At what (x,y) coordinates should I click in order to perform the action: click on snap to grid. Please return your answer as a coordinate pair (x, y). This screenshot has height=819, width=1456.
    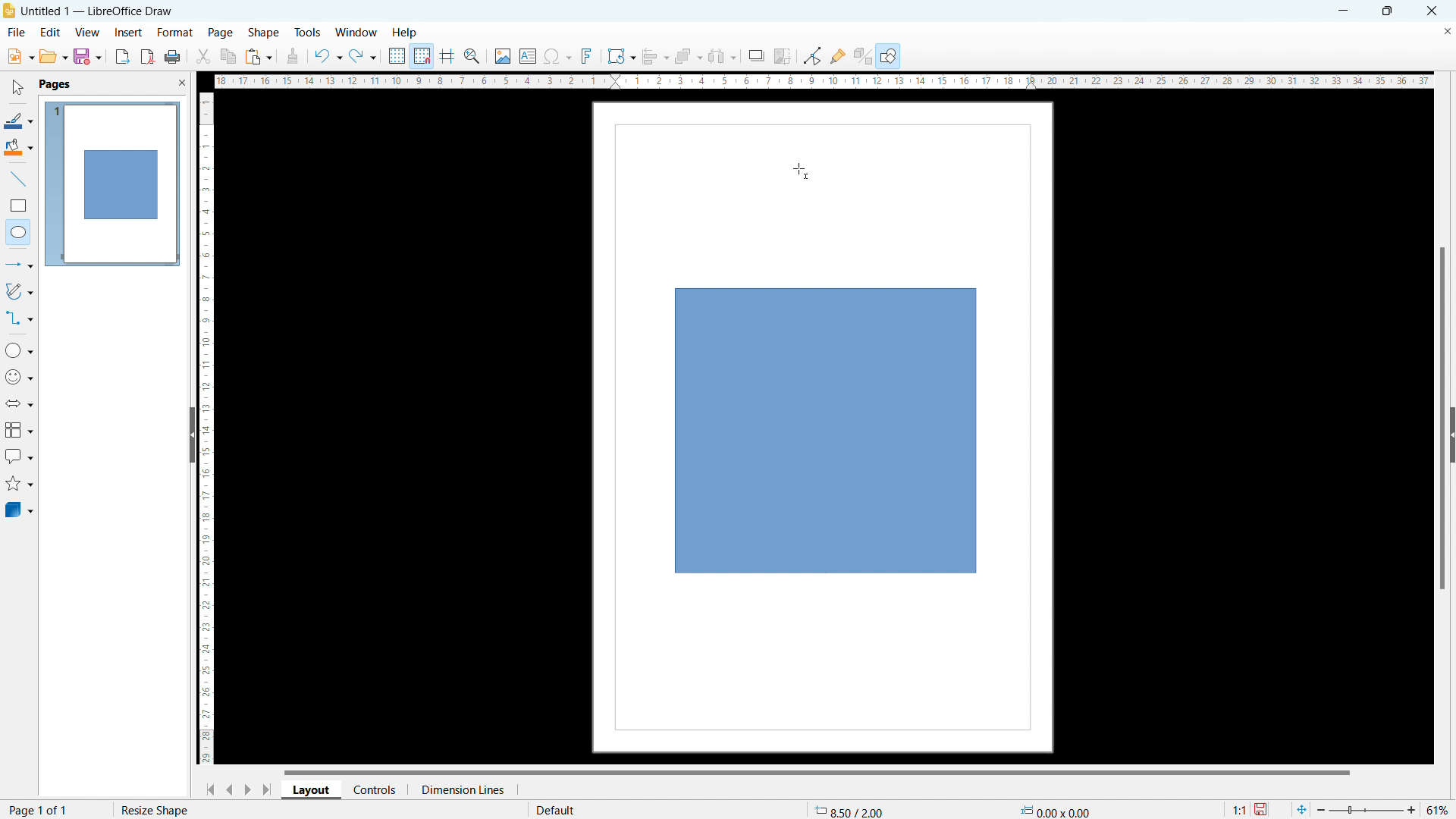
    Looking at the image, I should click on (422, 55).